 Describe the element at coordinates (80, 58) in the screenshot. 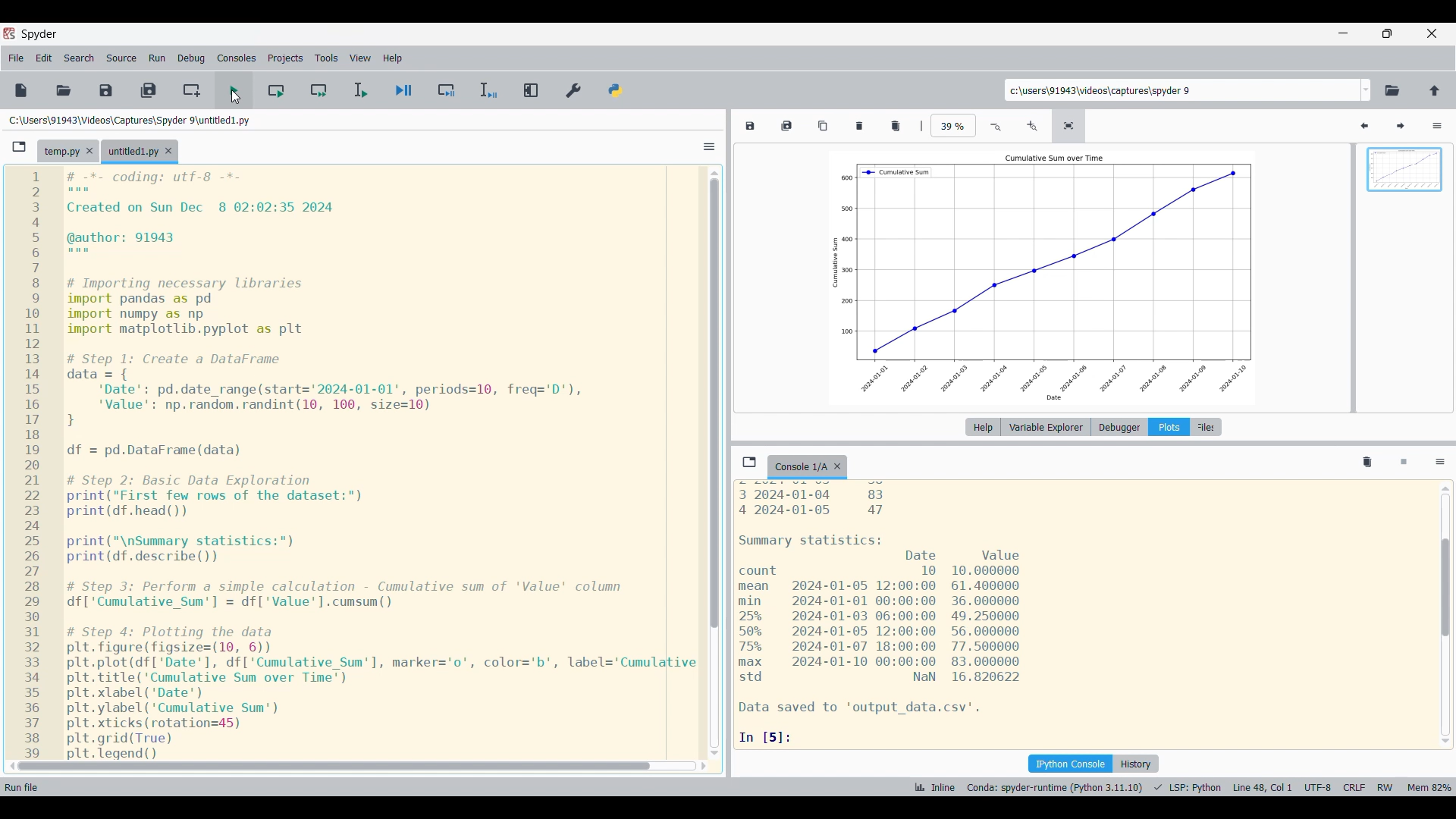

I see `Search menu` at that location.